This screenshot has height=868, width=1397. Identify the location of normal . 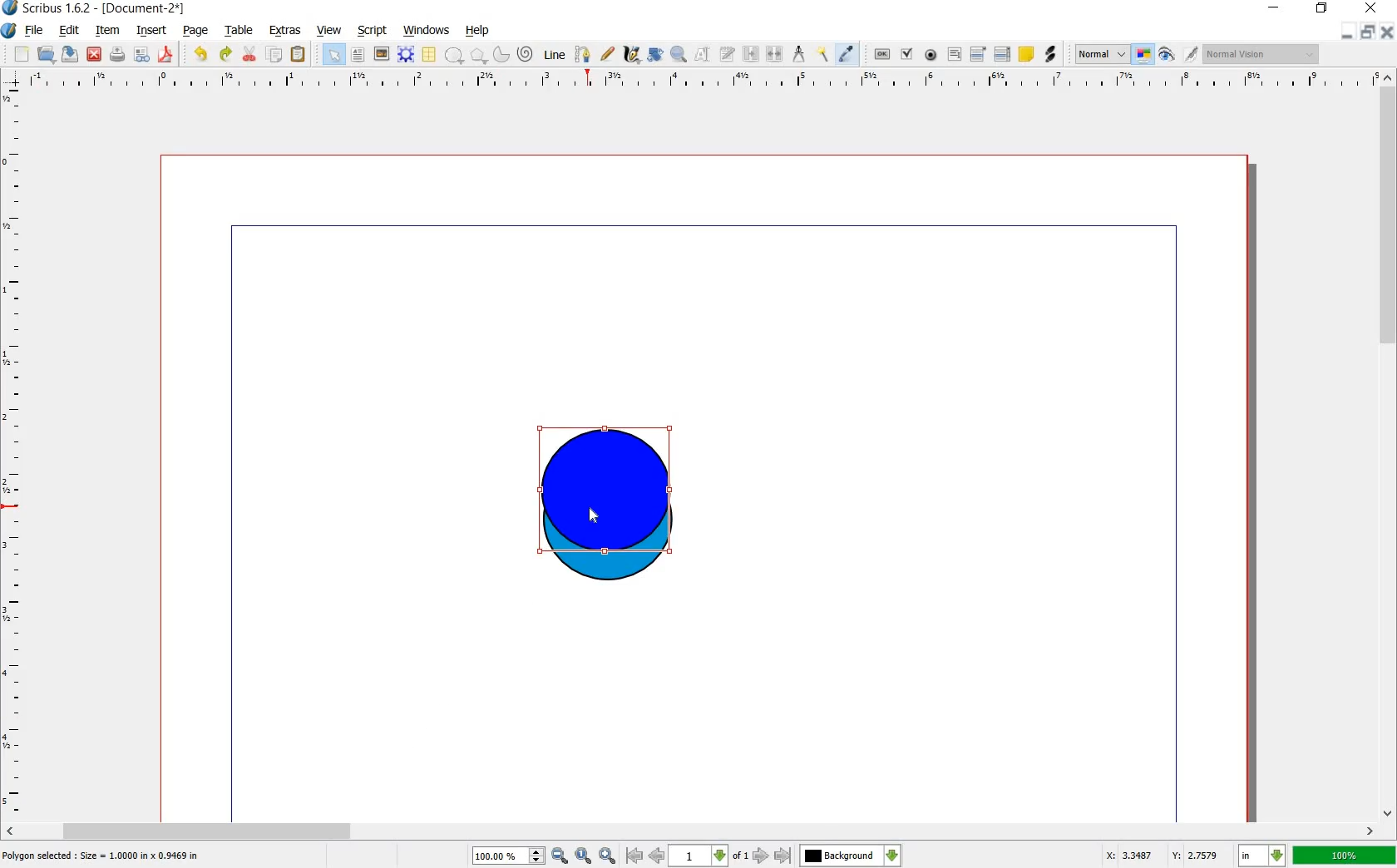
(1099, 54).